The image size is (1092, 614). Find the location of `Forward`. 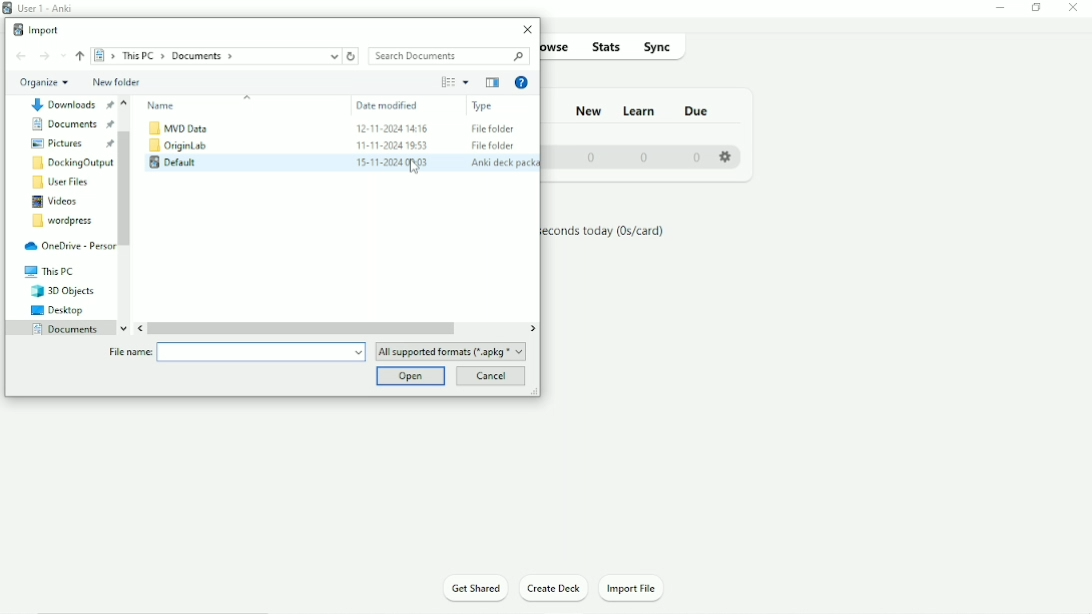

Forward is located at coordinates (45, 56).